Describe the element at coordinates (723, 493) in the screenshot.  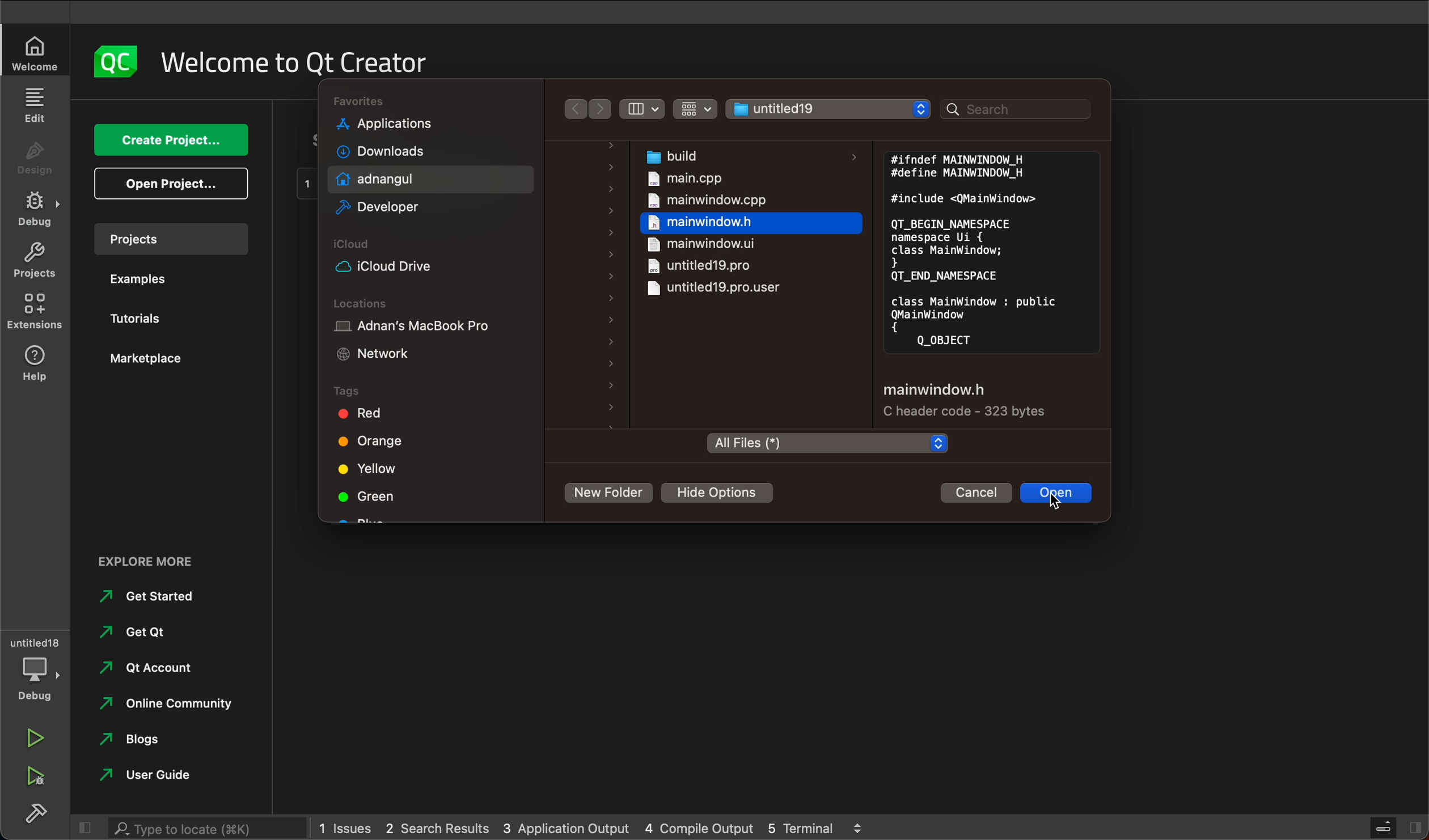
I see `hide options` at that location.